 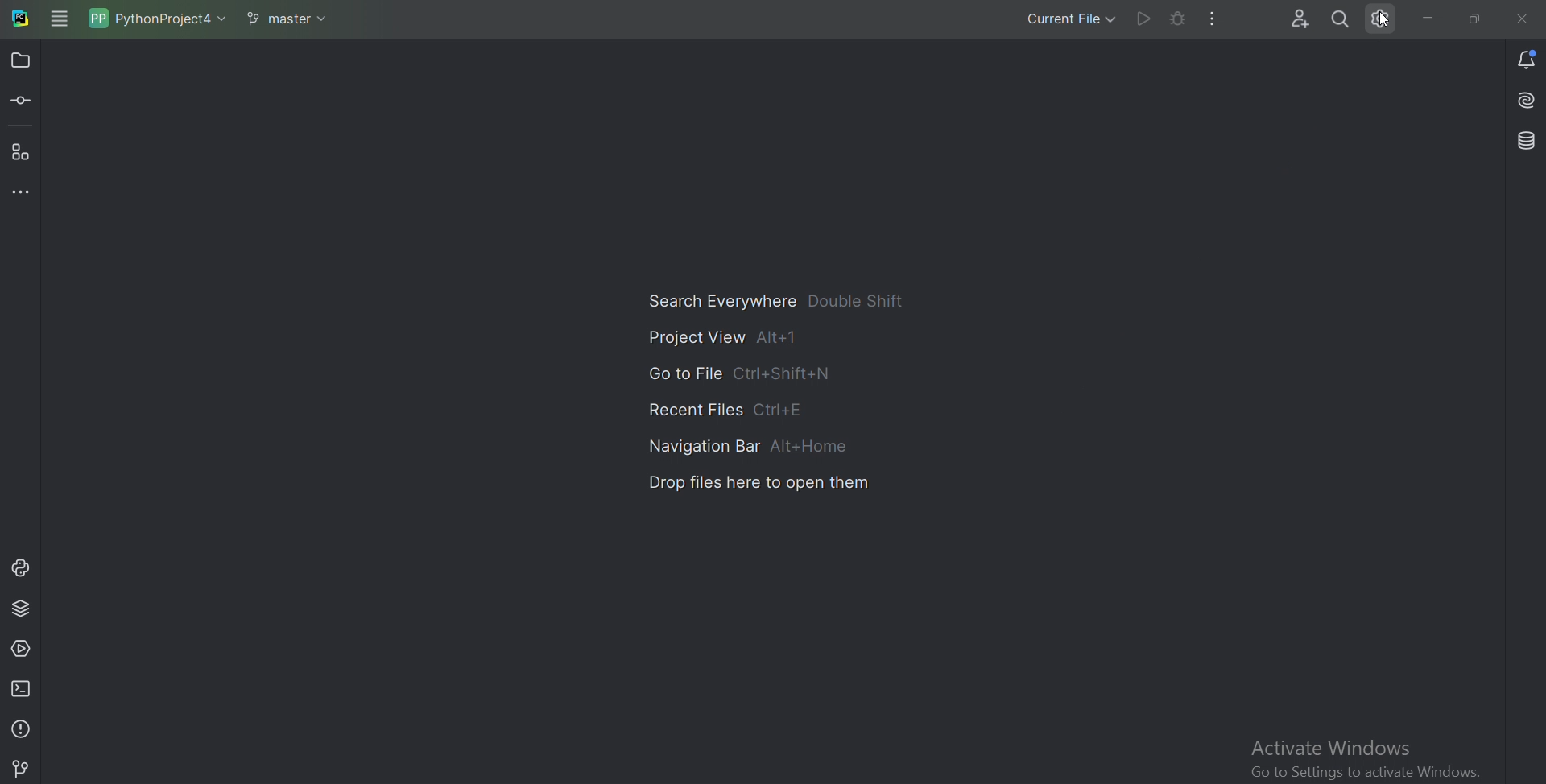 What do you see at coordinates (1214, 18) in the screenshot?
I see `More actions` at bounding box center [1214, 18].